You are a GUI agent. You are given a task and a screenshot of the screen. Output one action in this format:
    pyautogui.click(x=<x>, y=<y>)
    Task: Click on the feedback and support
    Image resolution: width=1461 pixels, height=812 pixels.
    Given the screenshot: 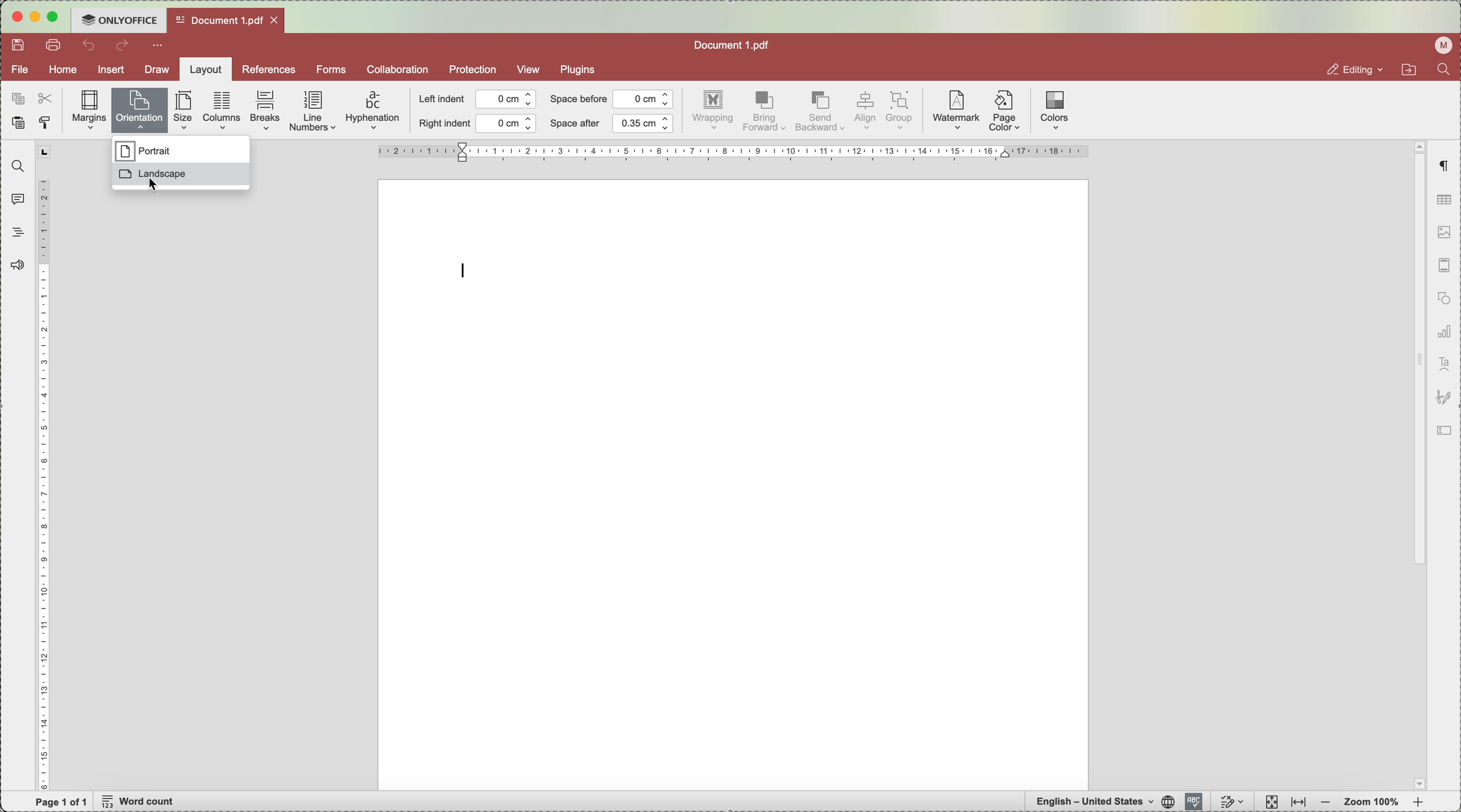 What is the action you would take?
    pyautogui.click(x=19, y=264)
    